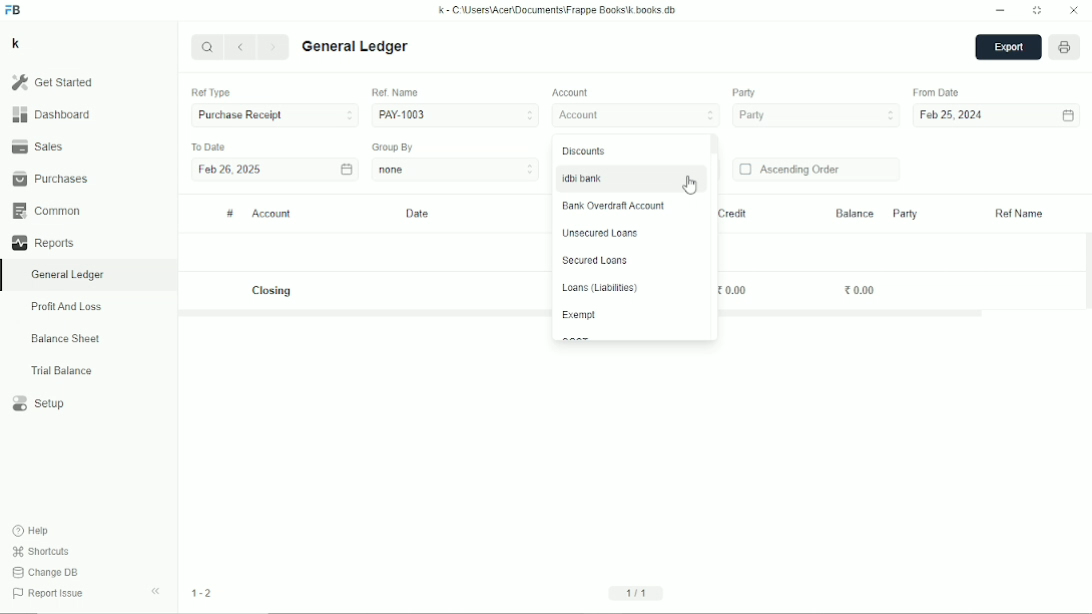 The image size is (1092, 614). I want to click on Toggle between form and full width, so click(1037, 11).